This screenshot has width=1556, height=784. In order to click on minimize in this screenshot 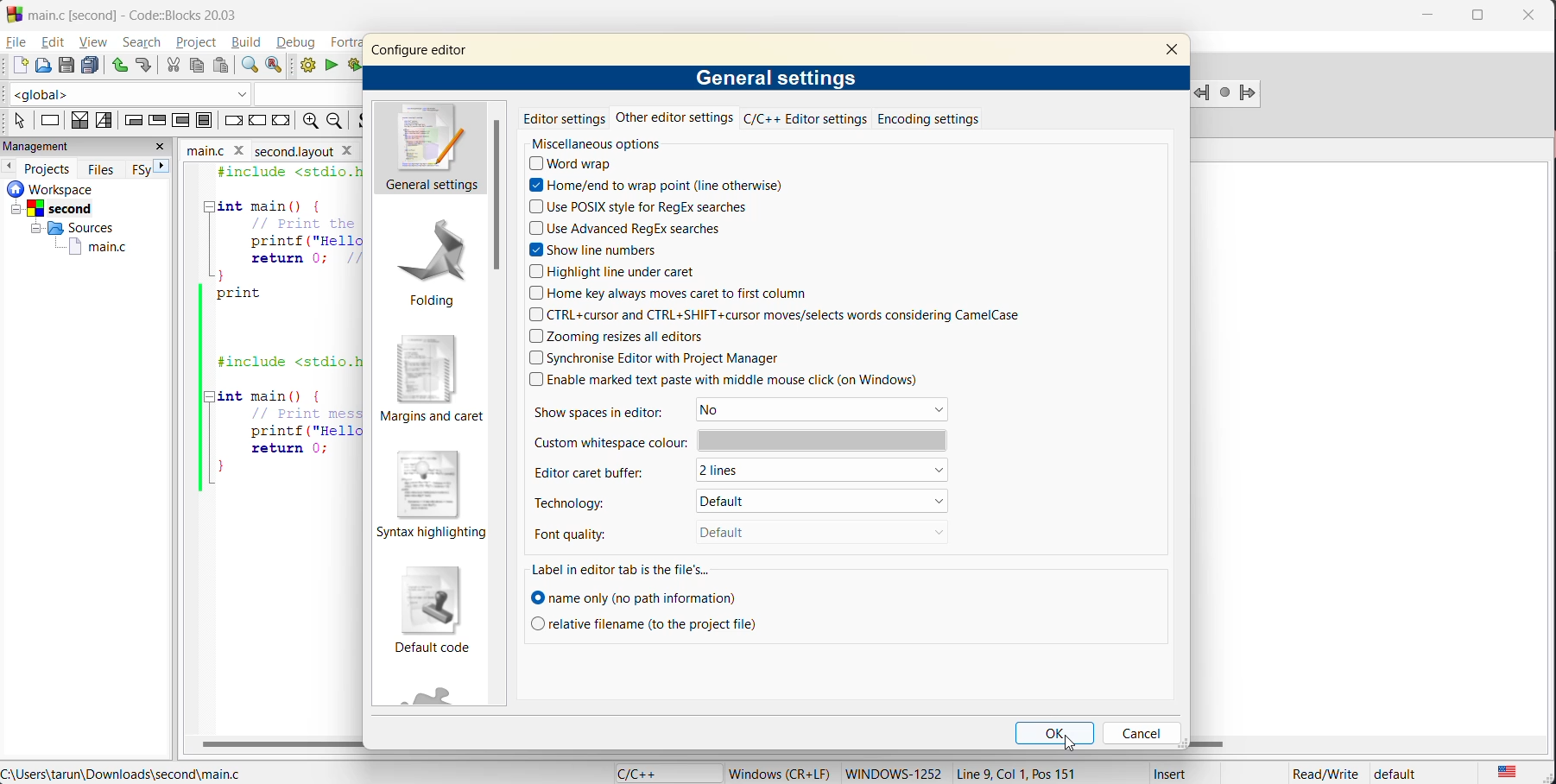, I will do `click(1434, 14)`.